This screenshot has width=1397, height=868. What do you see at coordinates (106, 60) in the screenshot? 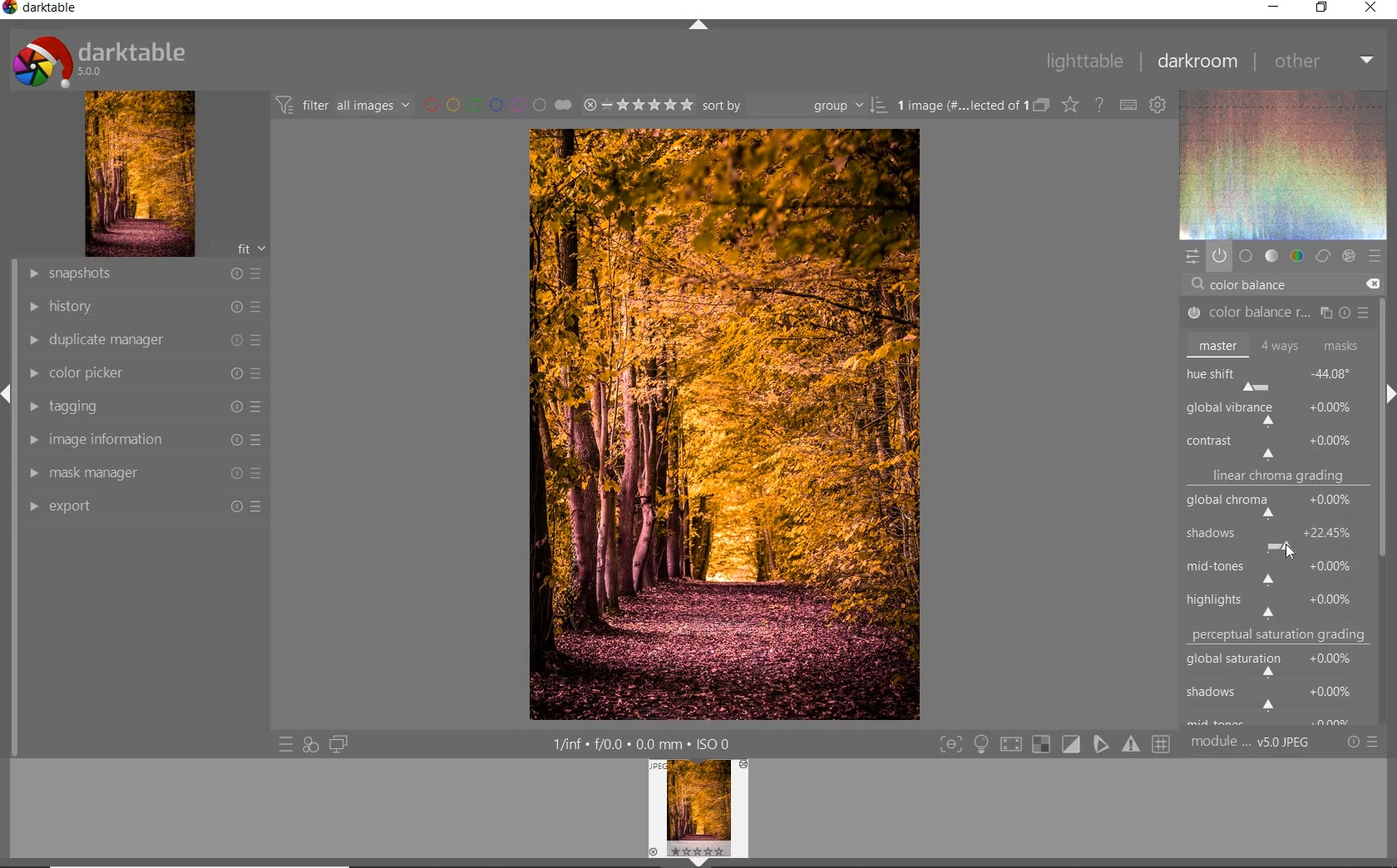
I see `system logo or name` at bounding box center [106, 60].